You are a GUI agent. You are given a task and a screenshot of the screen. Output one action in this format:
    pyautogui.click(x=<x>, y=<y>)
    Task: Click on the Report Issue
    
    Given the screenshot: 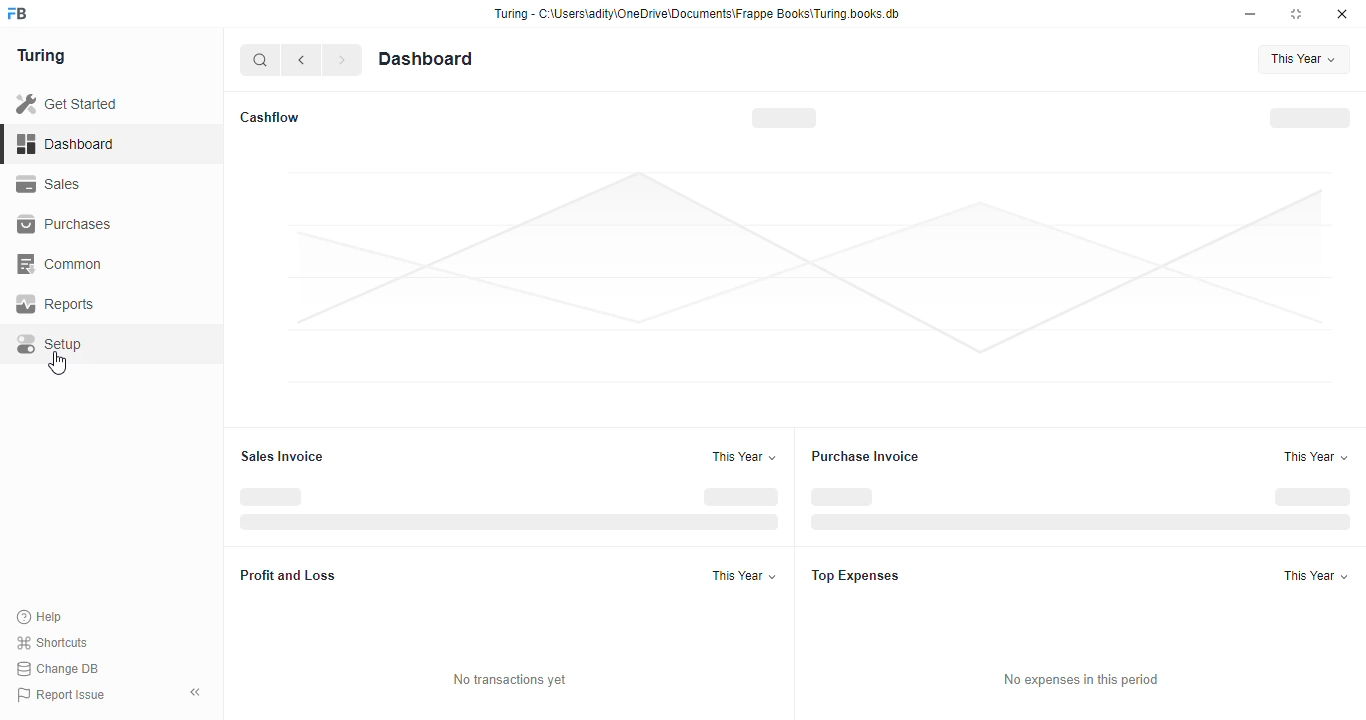 What is the action you would take?
    pyautogui.click(x=63, y=695)
    